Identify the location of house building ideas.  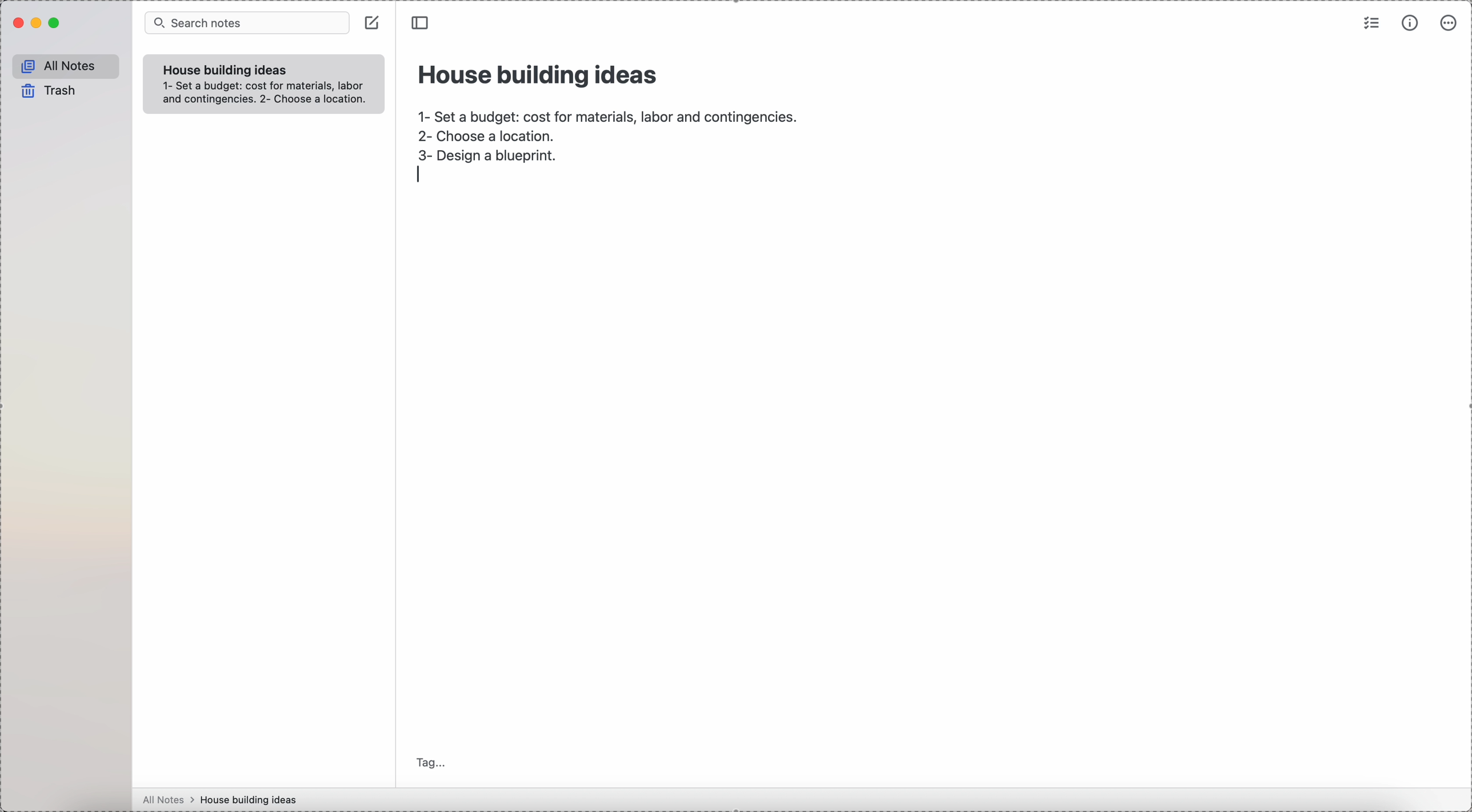
(222, 70).